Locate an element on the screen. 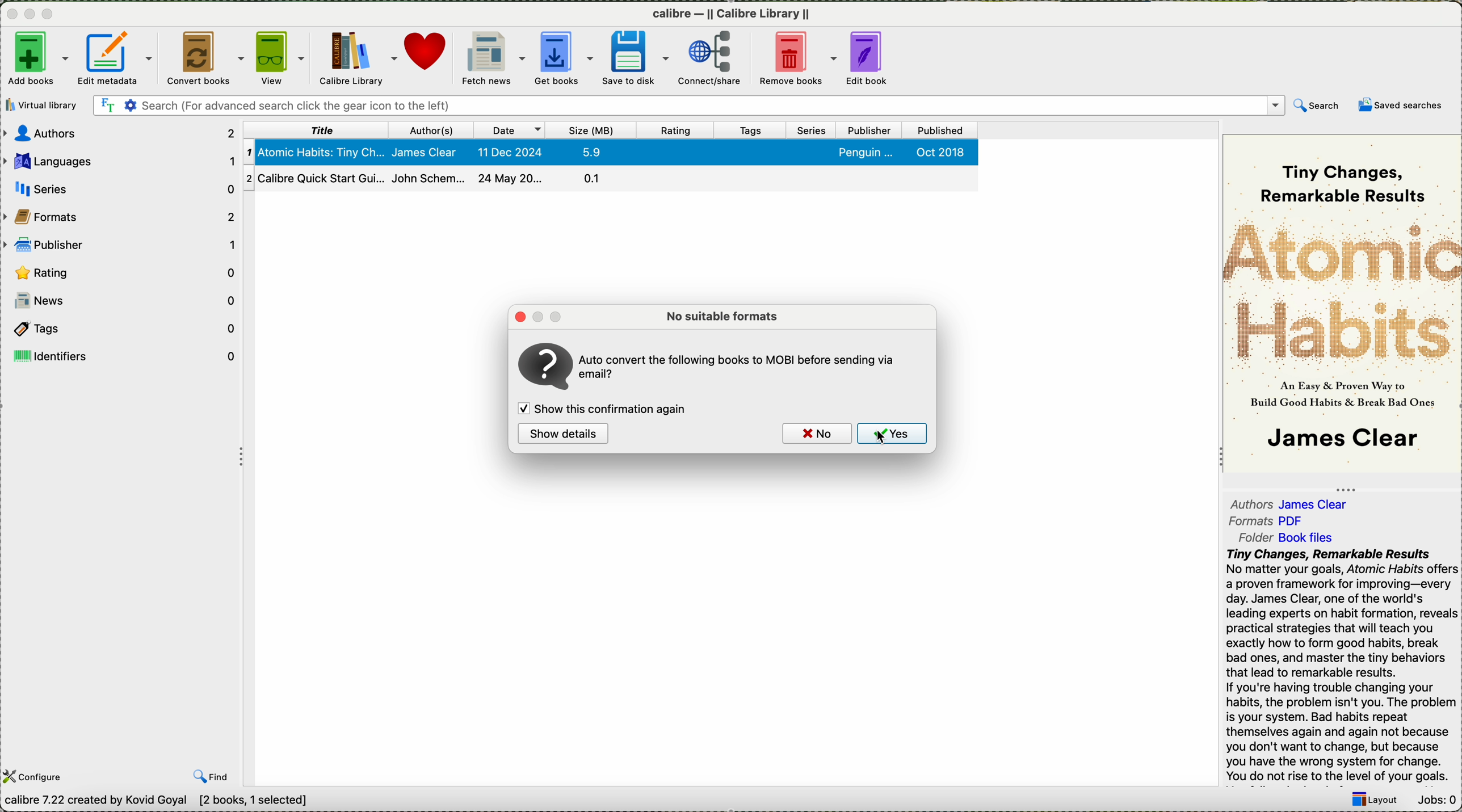 The height and width of the screenshot is (812, 1462). minimize is located at coordinates (33, 15).